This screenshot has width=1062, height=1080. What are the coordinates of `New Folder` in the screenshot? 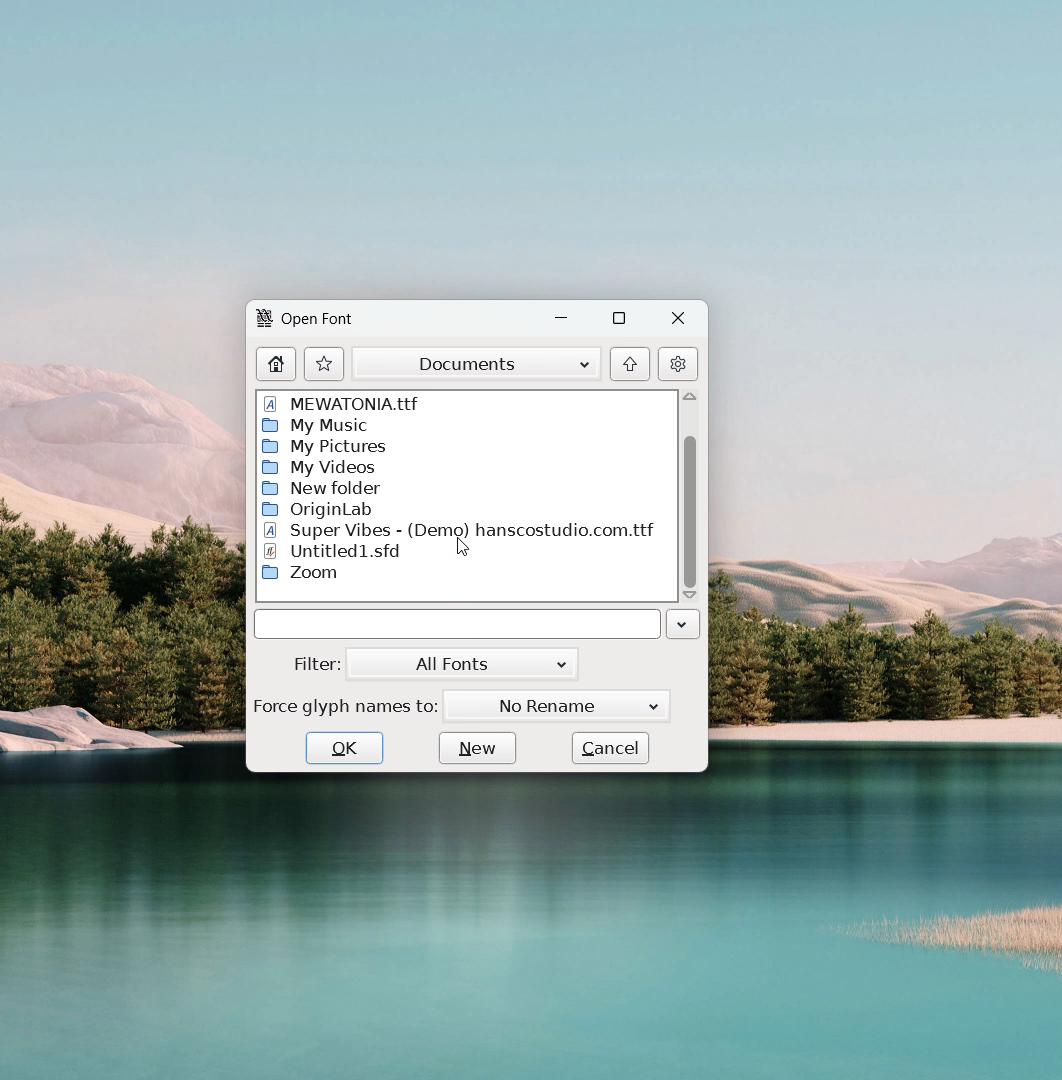 It's located at (320, 489).